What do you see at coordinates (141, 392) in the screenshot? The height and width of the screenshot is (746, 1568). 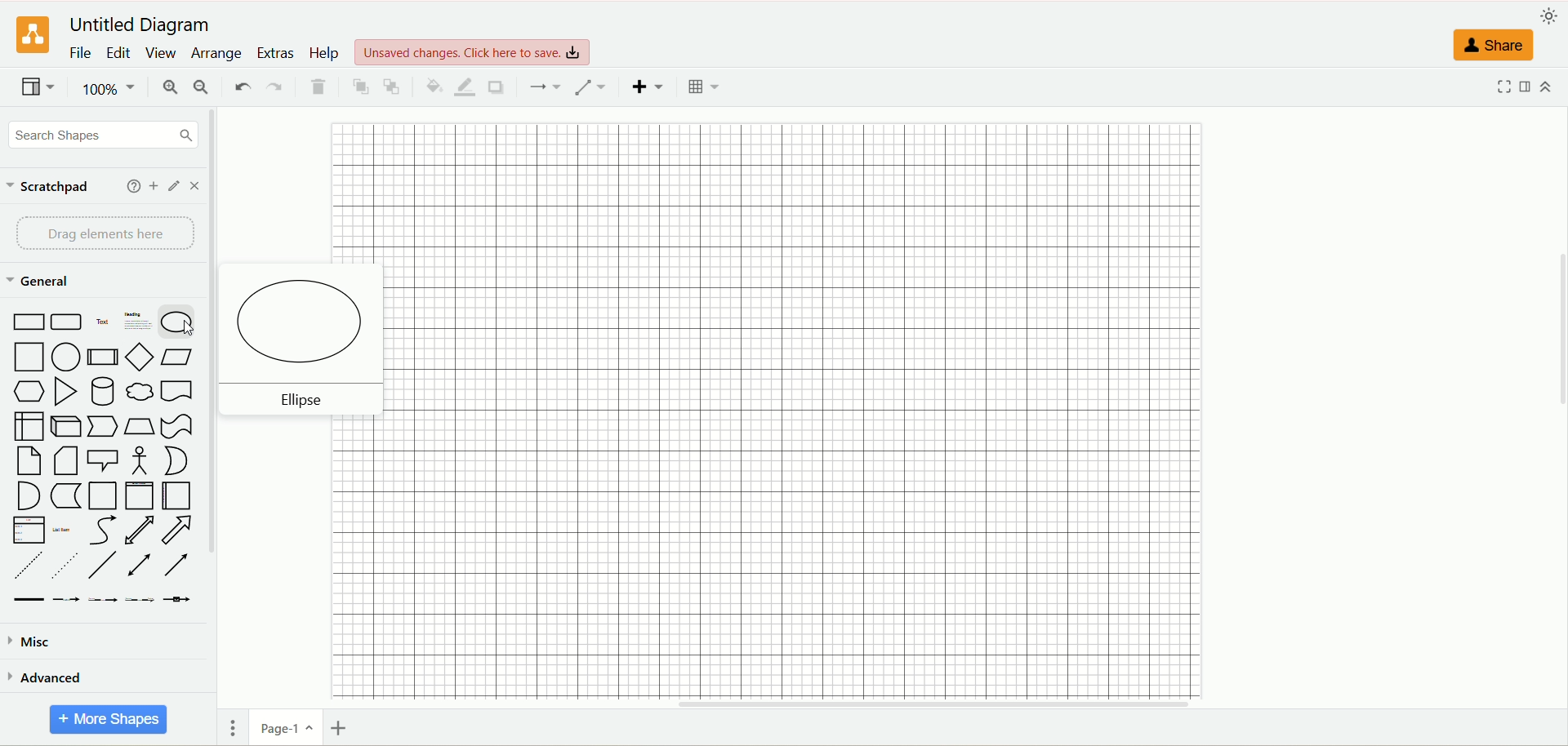 I see `cloud` at bounding box center [141, 392].